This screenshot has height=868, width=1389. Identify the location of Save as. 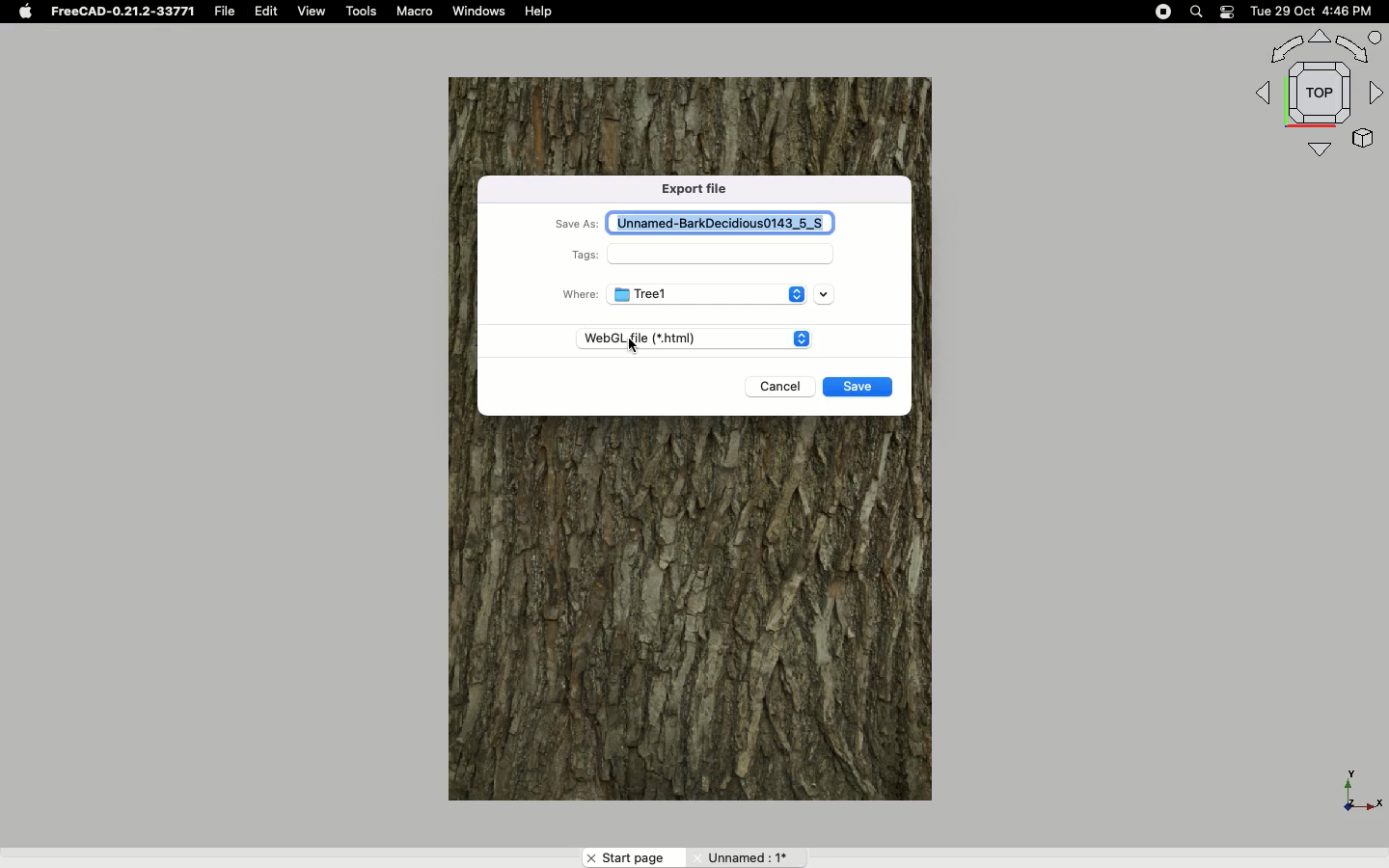
(578, 223).